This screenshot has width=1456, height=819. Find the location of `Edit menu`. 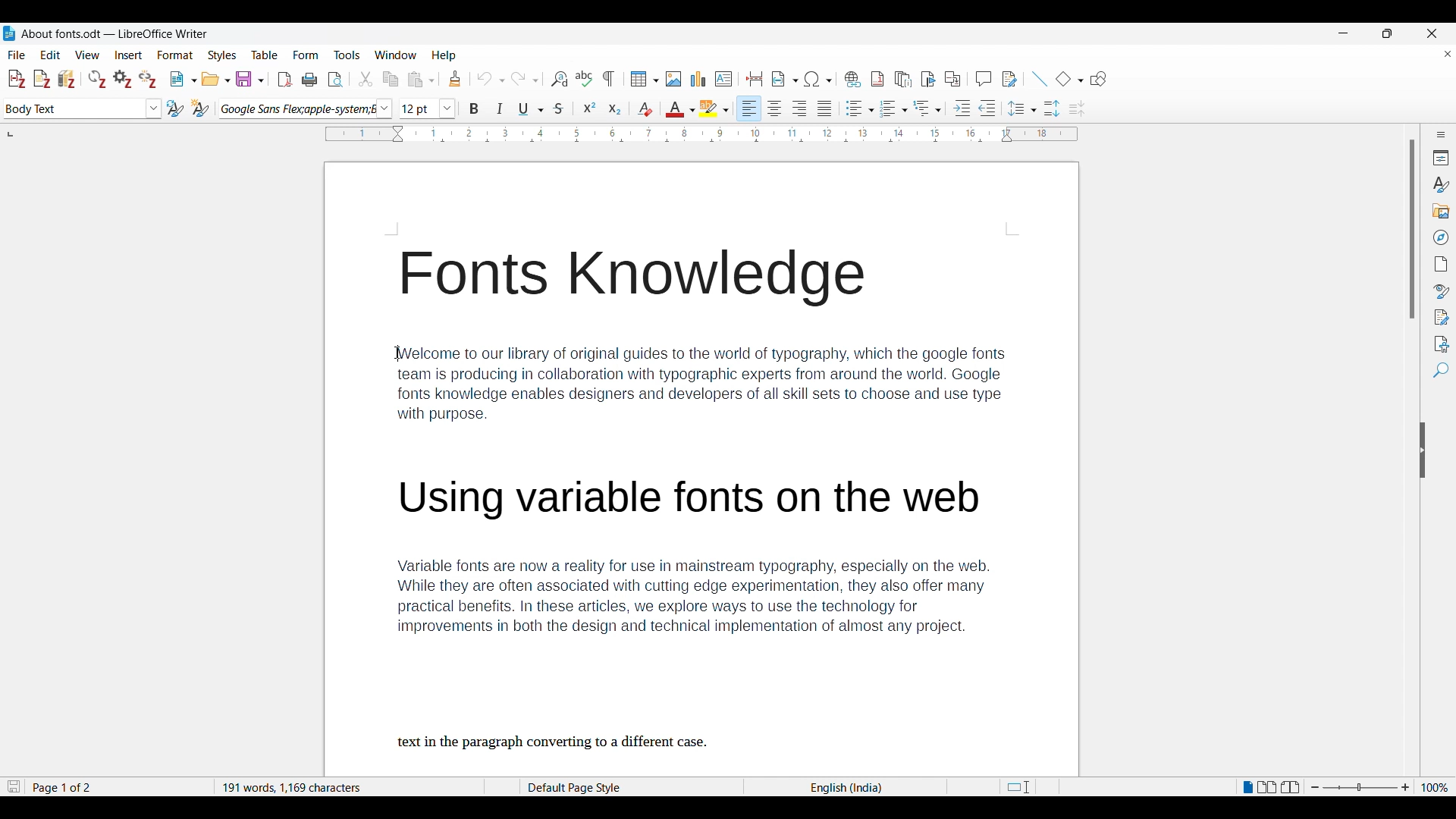

Edit menu is located at coordinates (50, 55).